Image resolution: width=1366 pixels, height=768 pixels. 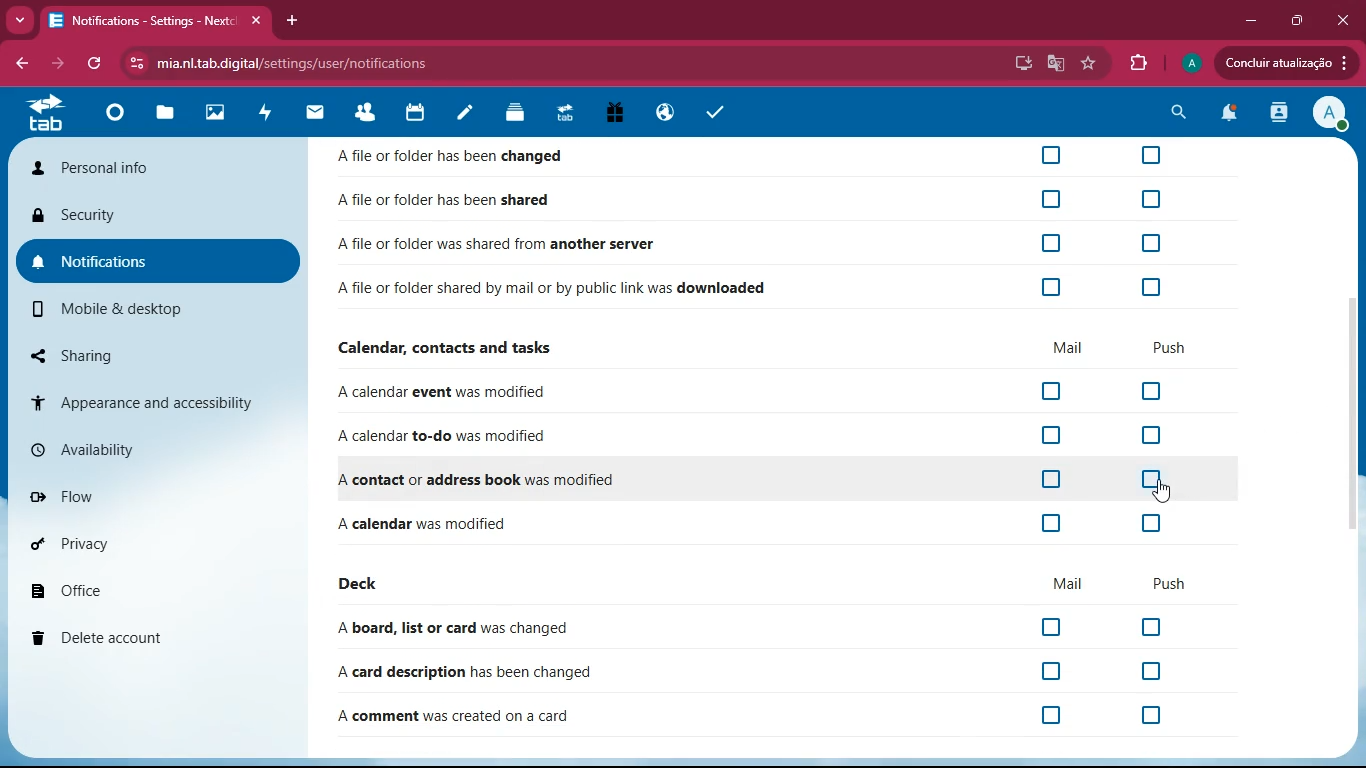 What do you see at coordinates (451, 626) in the screenshot?
I see `A board, list or card was changed` at bounding box center [451, 626].